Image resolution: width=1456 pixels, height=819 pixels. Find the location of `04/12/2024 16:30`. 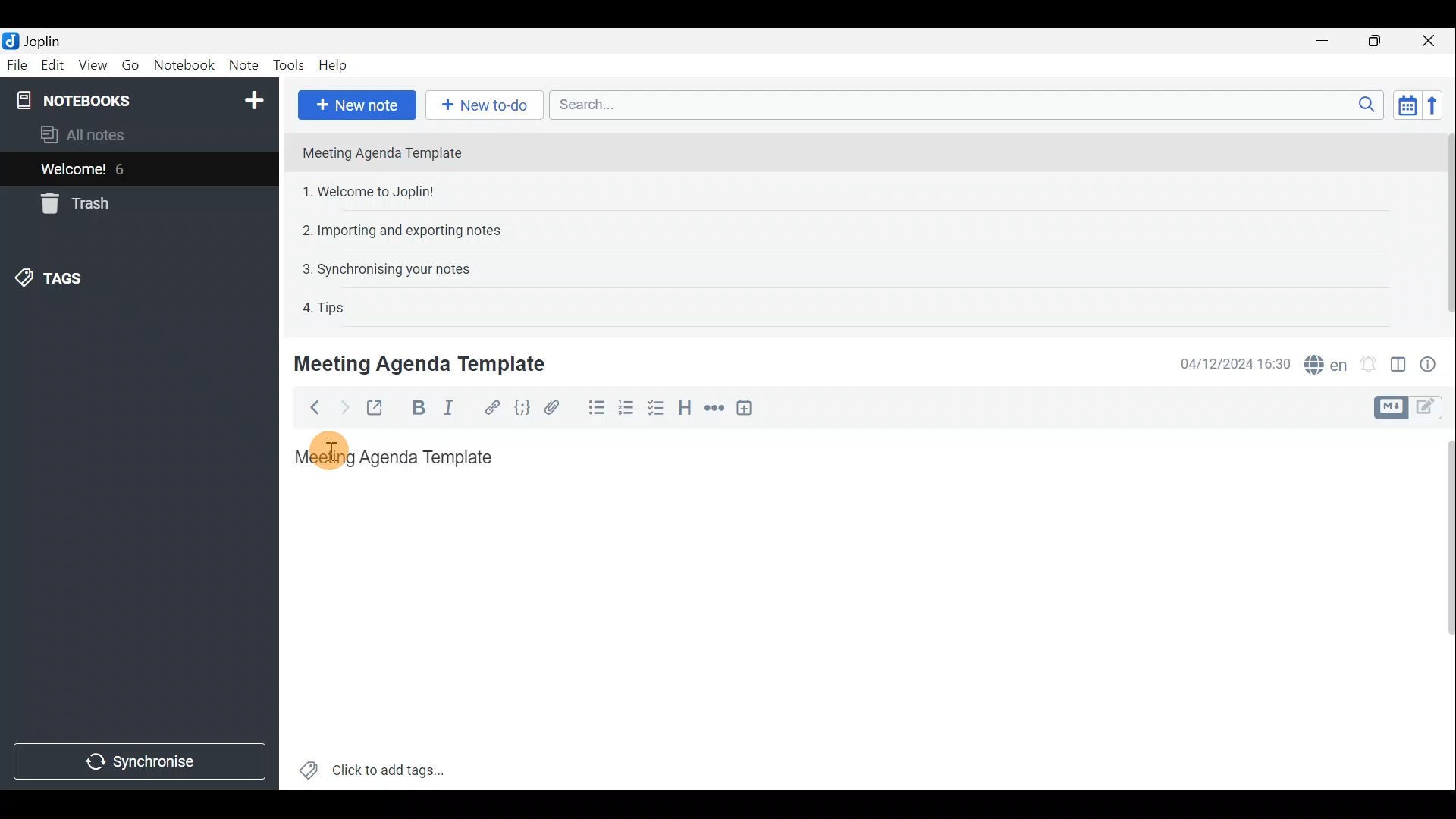

04/12/2024 16:30 is located at coordinates (1228, 362).